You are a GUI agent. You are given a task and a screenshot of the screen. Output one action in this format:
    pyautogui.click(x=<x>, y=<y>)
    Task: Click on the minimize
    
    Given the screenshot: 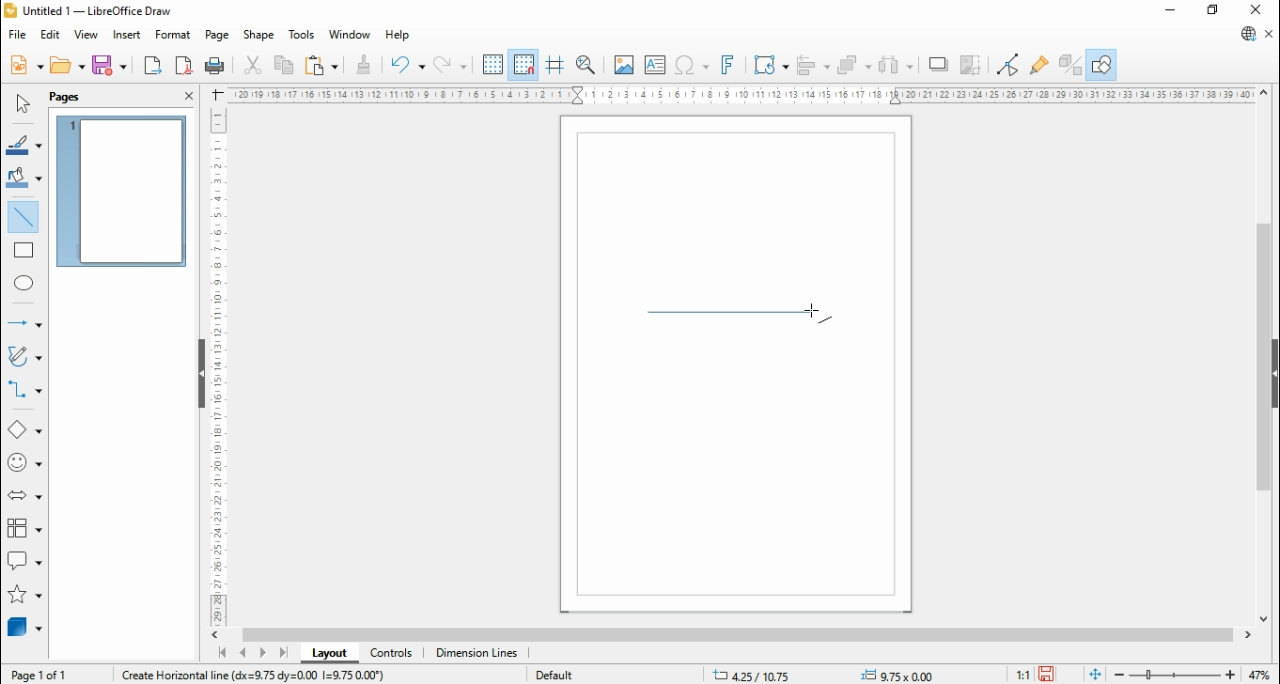 What is the action you would take?
    pyautogui.click(x=1171, y=12)
    